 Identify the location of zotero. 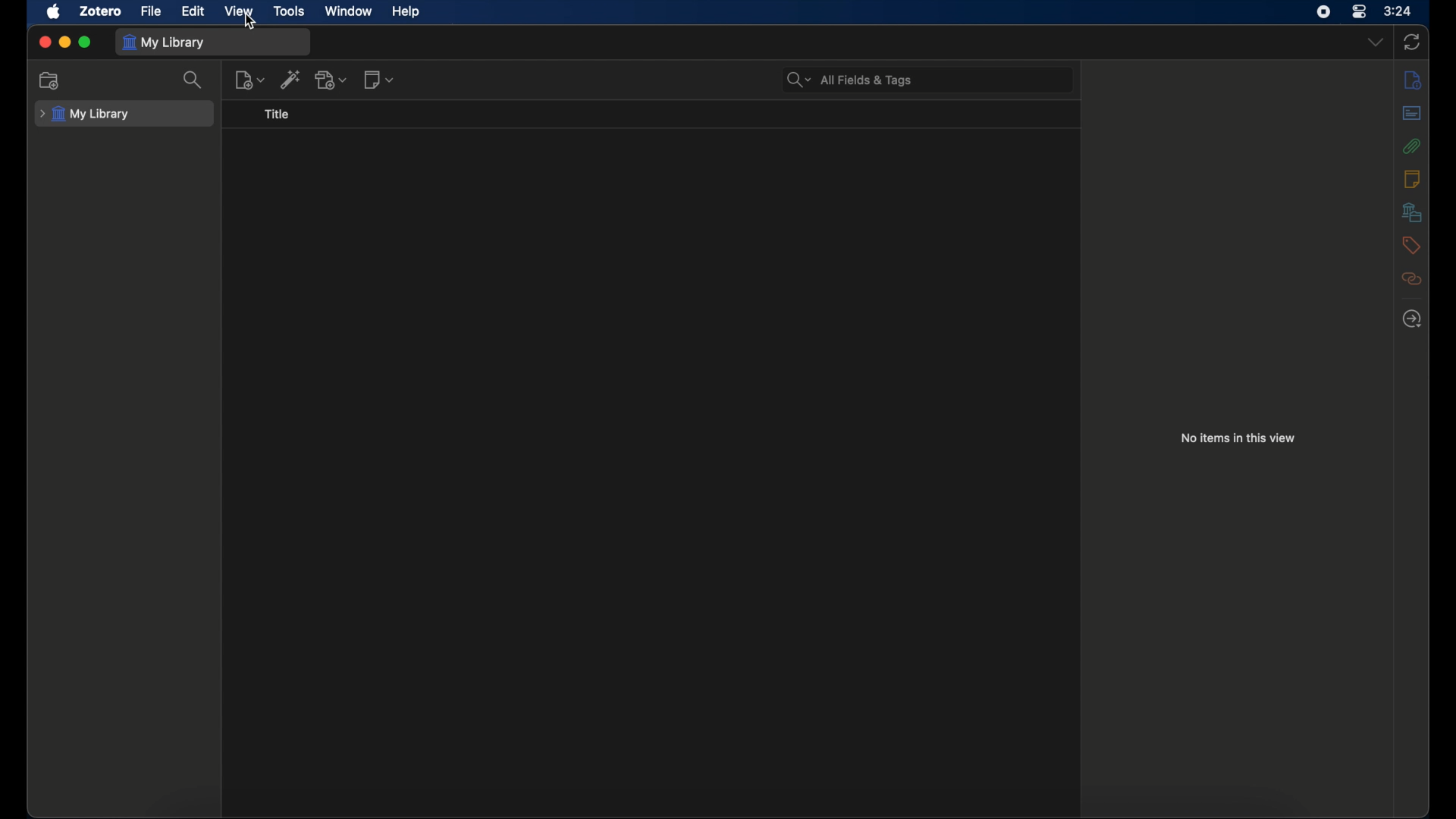
(100, 11).